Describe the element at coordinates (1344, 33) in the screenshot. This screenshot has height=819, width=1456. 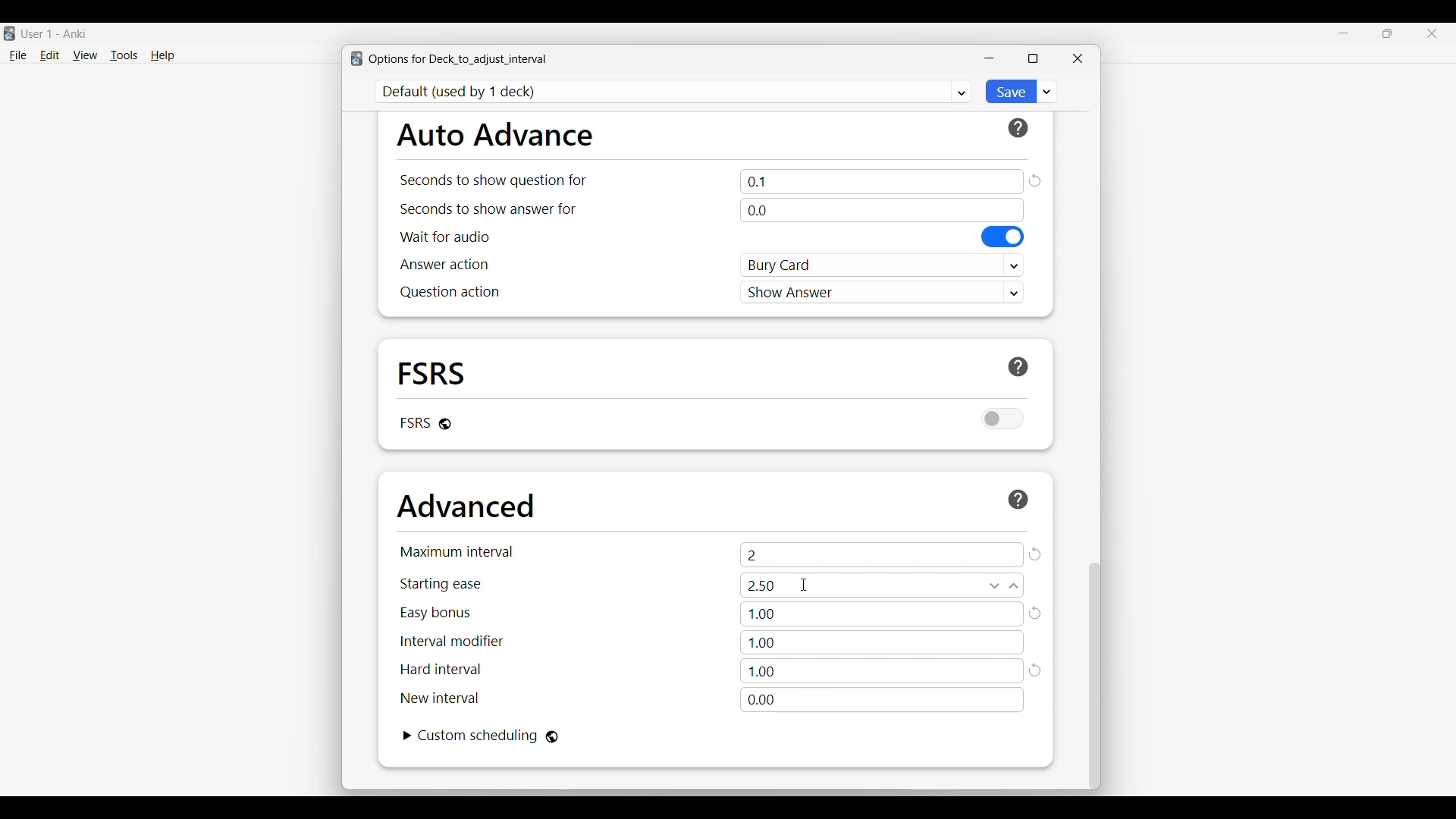
I see `Minimize` at that location.